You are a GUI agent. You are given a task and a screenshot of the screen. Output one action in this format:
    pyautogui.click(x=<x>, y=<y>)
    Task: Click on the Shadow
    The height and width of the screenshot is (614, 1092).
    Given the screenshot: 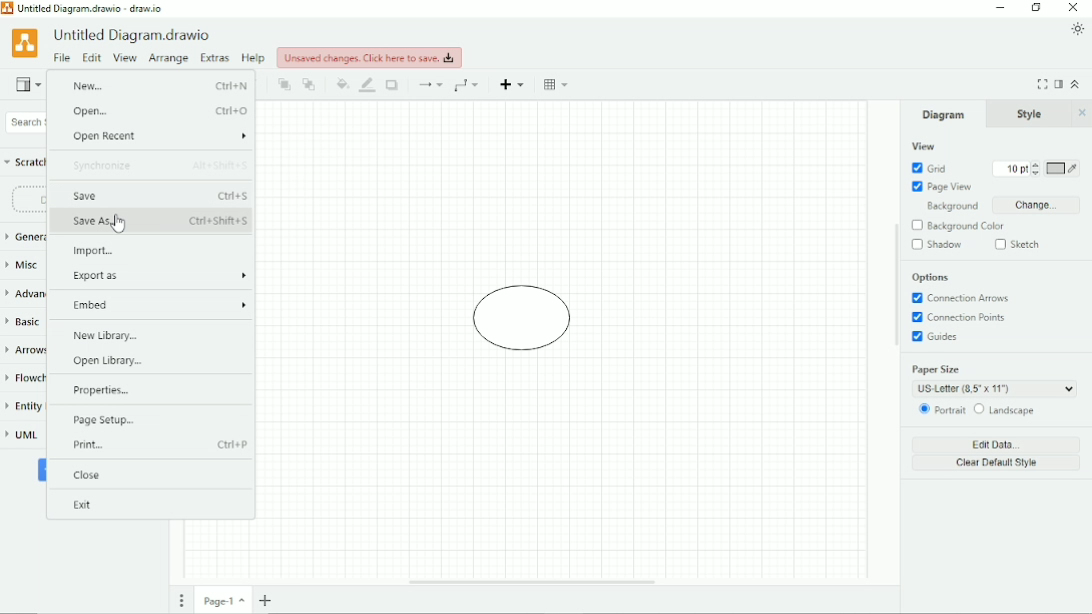 What is the action you would take?
    pyautogui.click(x=938, y=245)
    